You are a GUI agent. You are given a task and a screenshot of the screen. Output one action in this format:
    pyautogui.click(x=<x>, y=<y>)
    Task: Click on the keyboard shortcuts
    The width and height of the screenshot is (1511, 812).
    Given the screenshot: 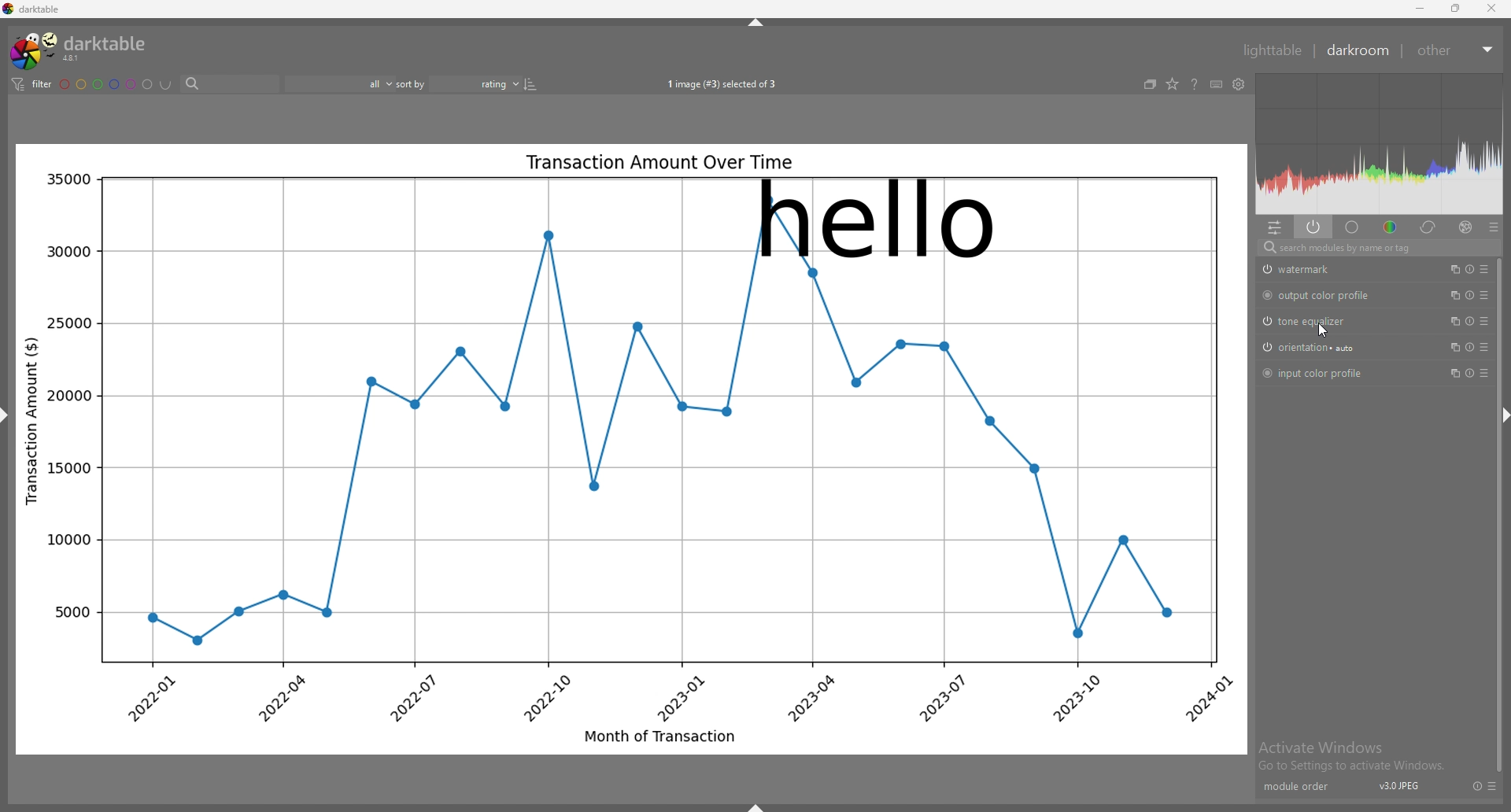 What is the action you would take?
    pyautogui.click(x=1216, y=84)
    